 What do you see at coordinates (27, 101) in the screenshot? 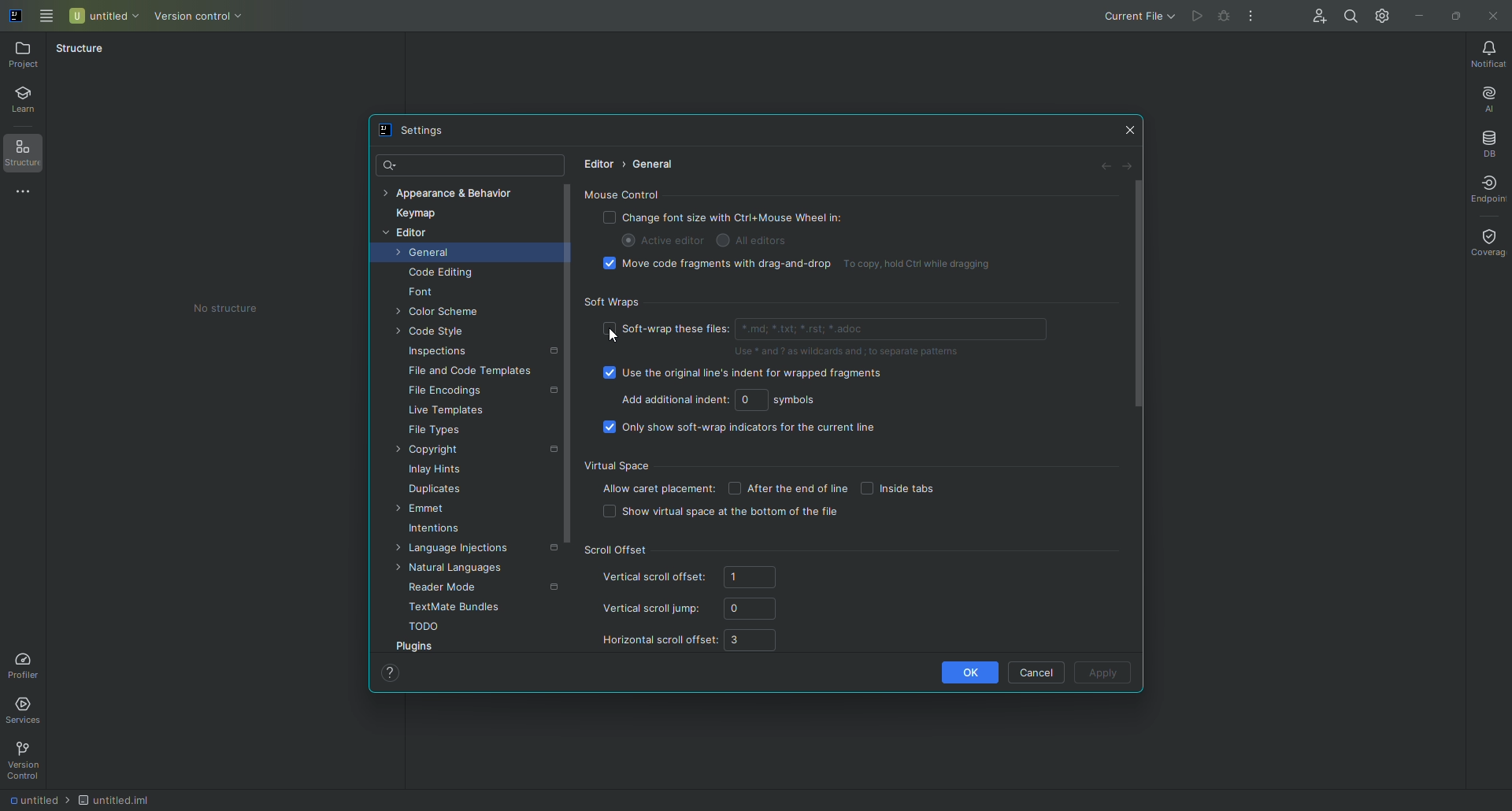
I see `Learn` at bounding box center [27, 101].